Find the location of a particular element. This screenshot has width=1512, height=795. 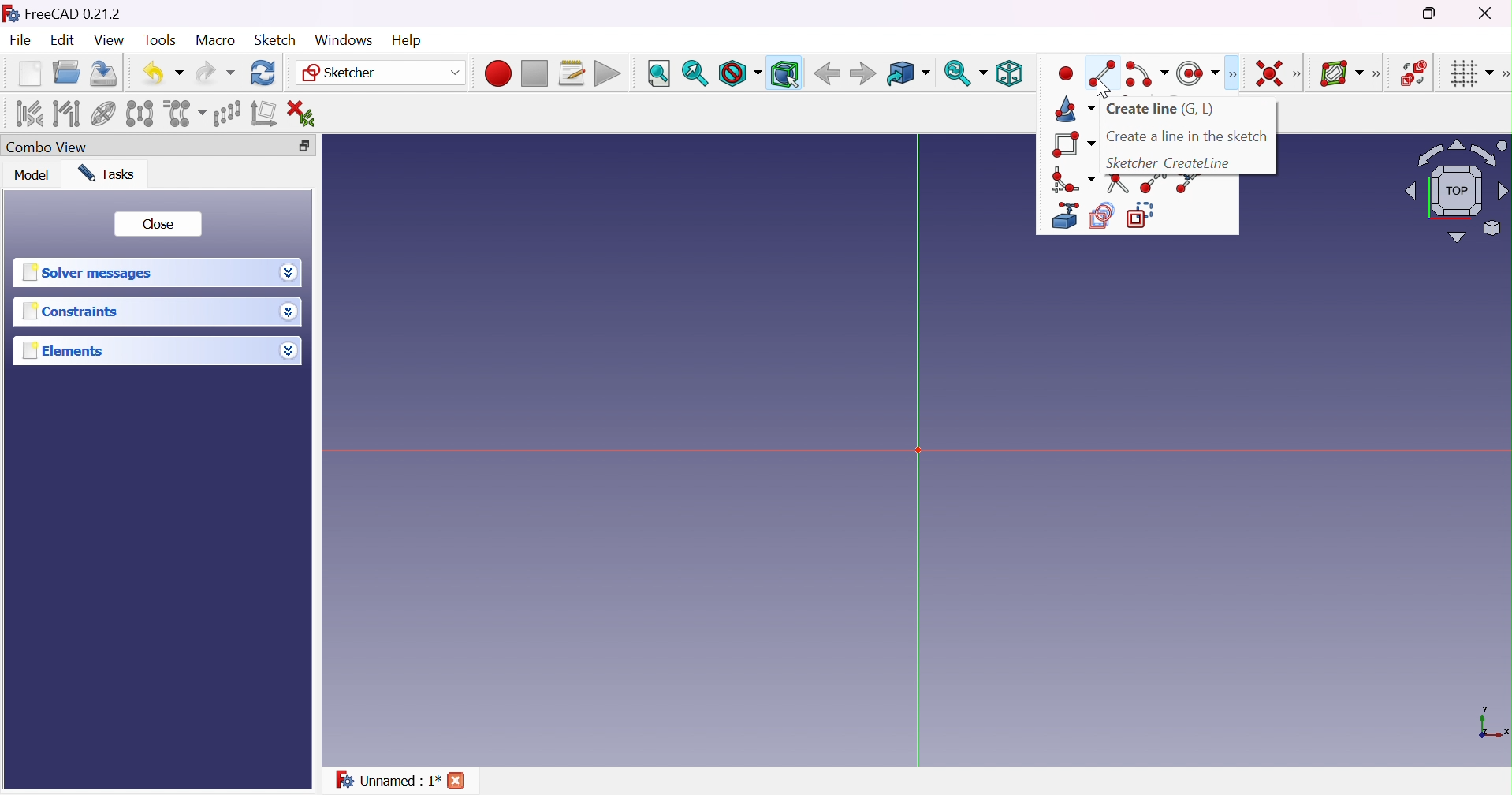

Cursor is located at coordinates (1107, 87).